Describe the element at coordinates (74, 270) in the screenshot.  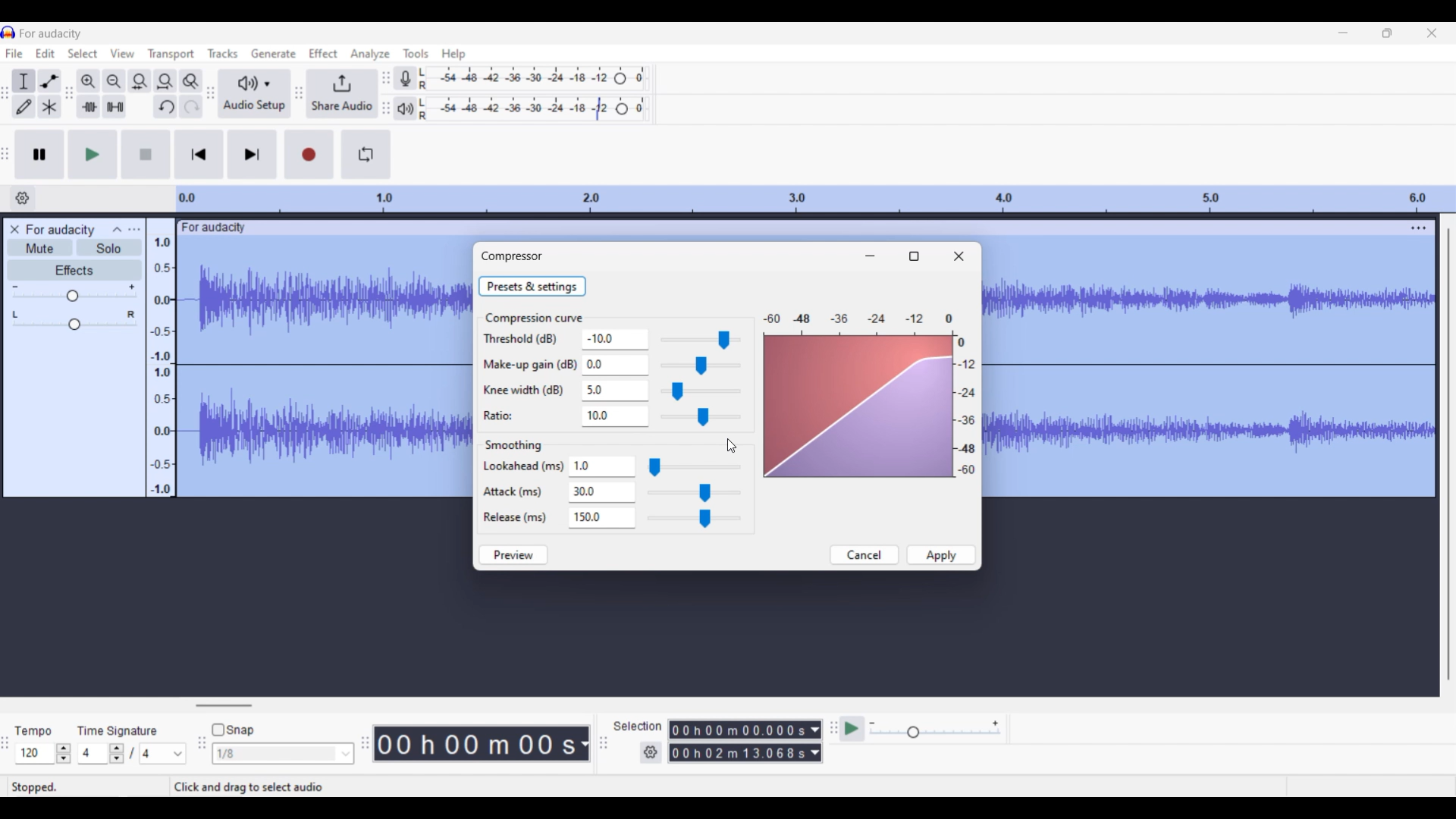
I see `Effects` at that location.